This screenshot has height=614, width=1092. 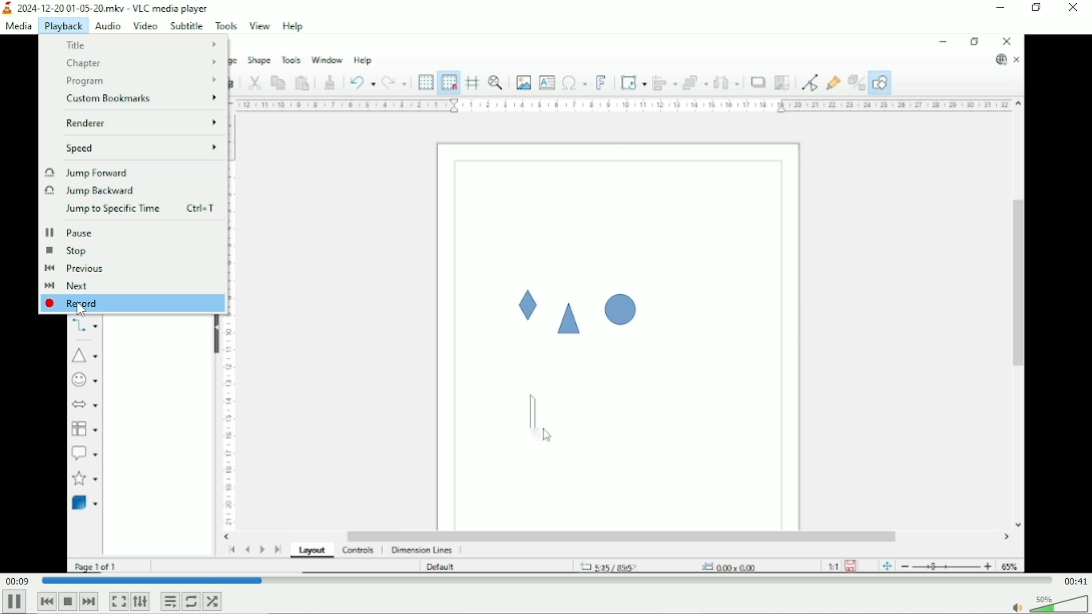 What do you see at coordinates (129, 286) in the screenshot?
I see `Next` at bounding box center [129, 286].